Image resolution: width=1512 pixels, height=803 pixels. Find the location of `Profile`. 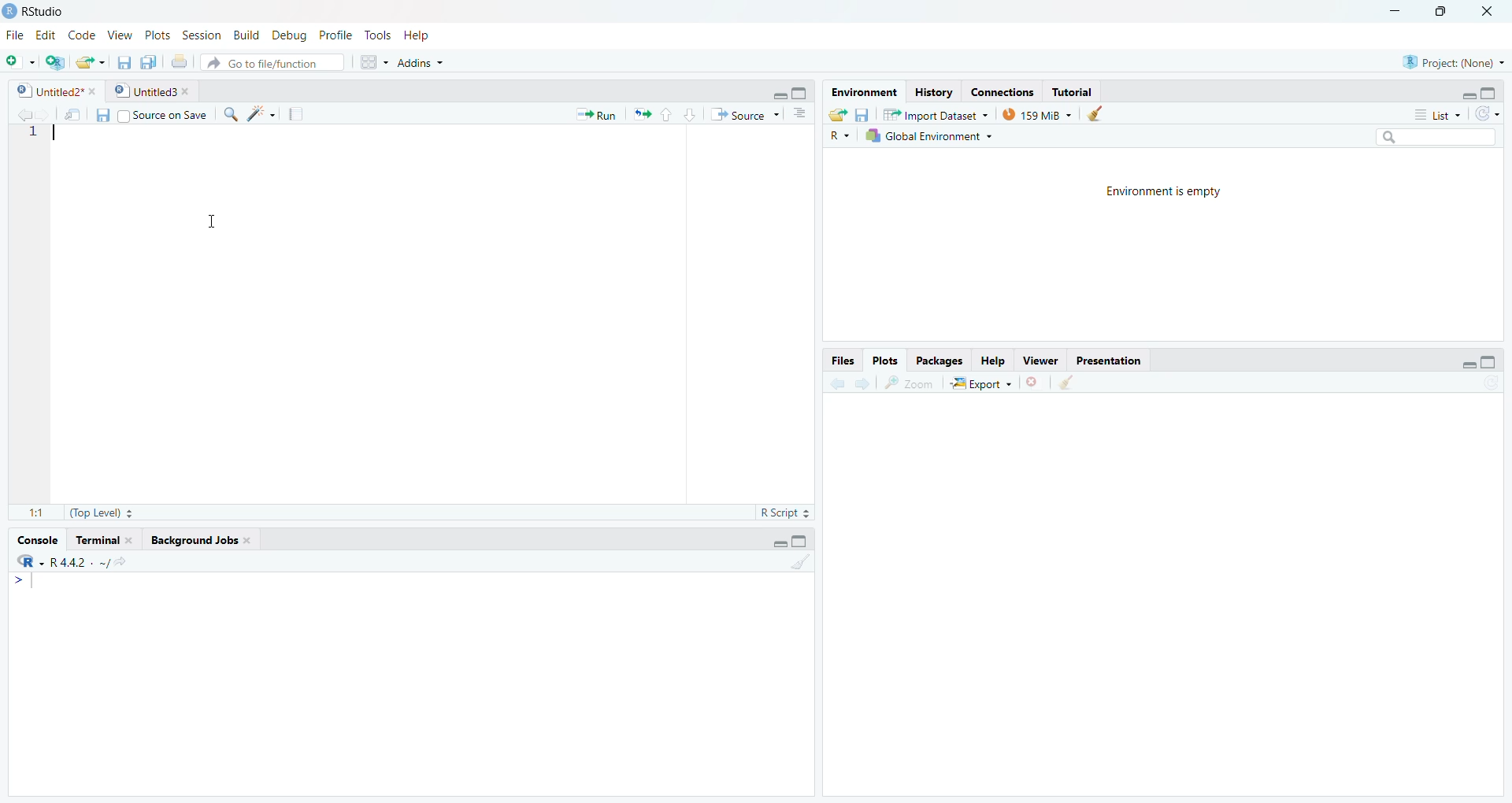

Profile is located at coordinates (335, 35).